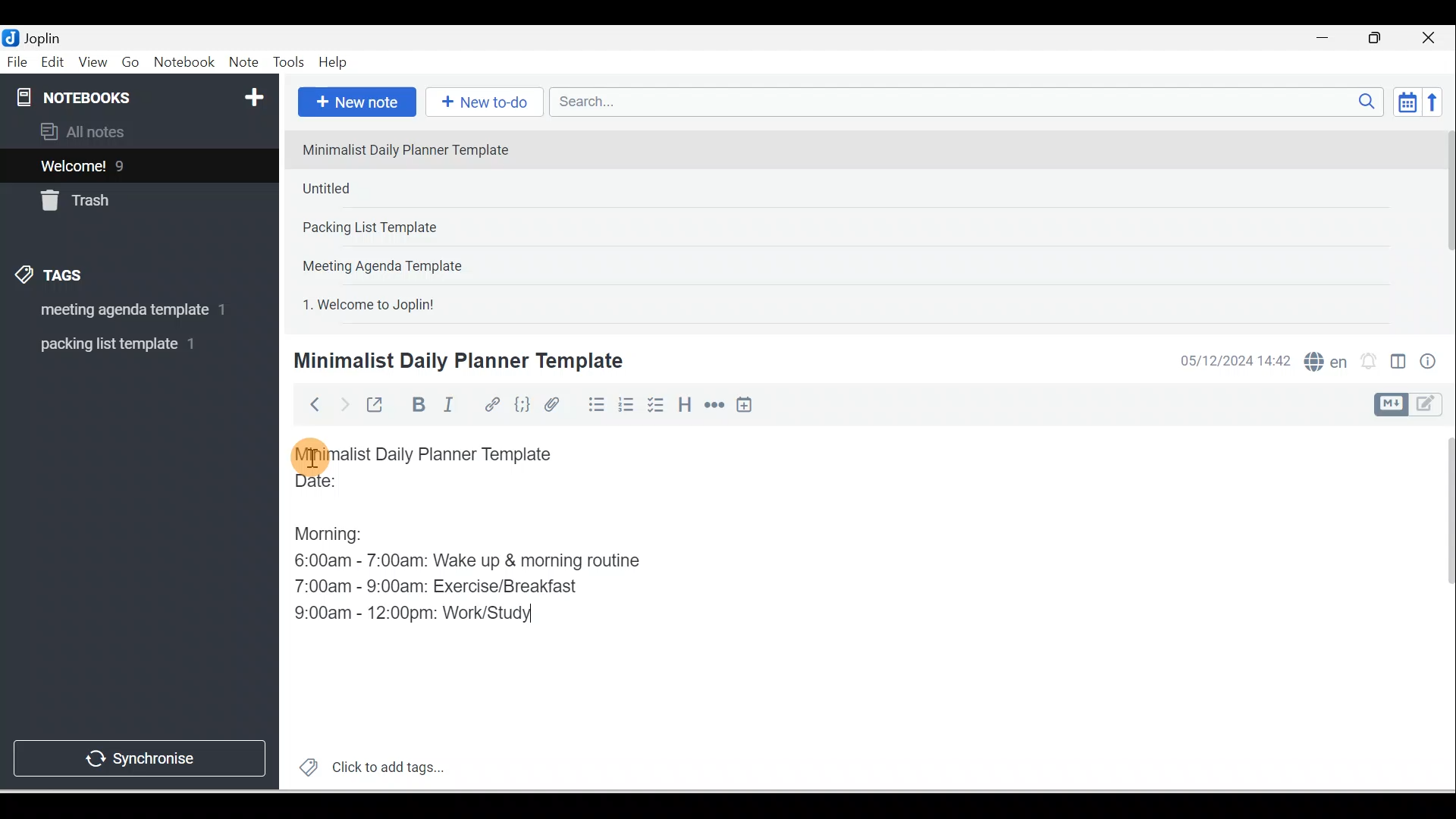  I want to click on Tools, so click(288, 62).